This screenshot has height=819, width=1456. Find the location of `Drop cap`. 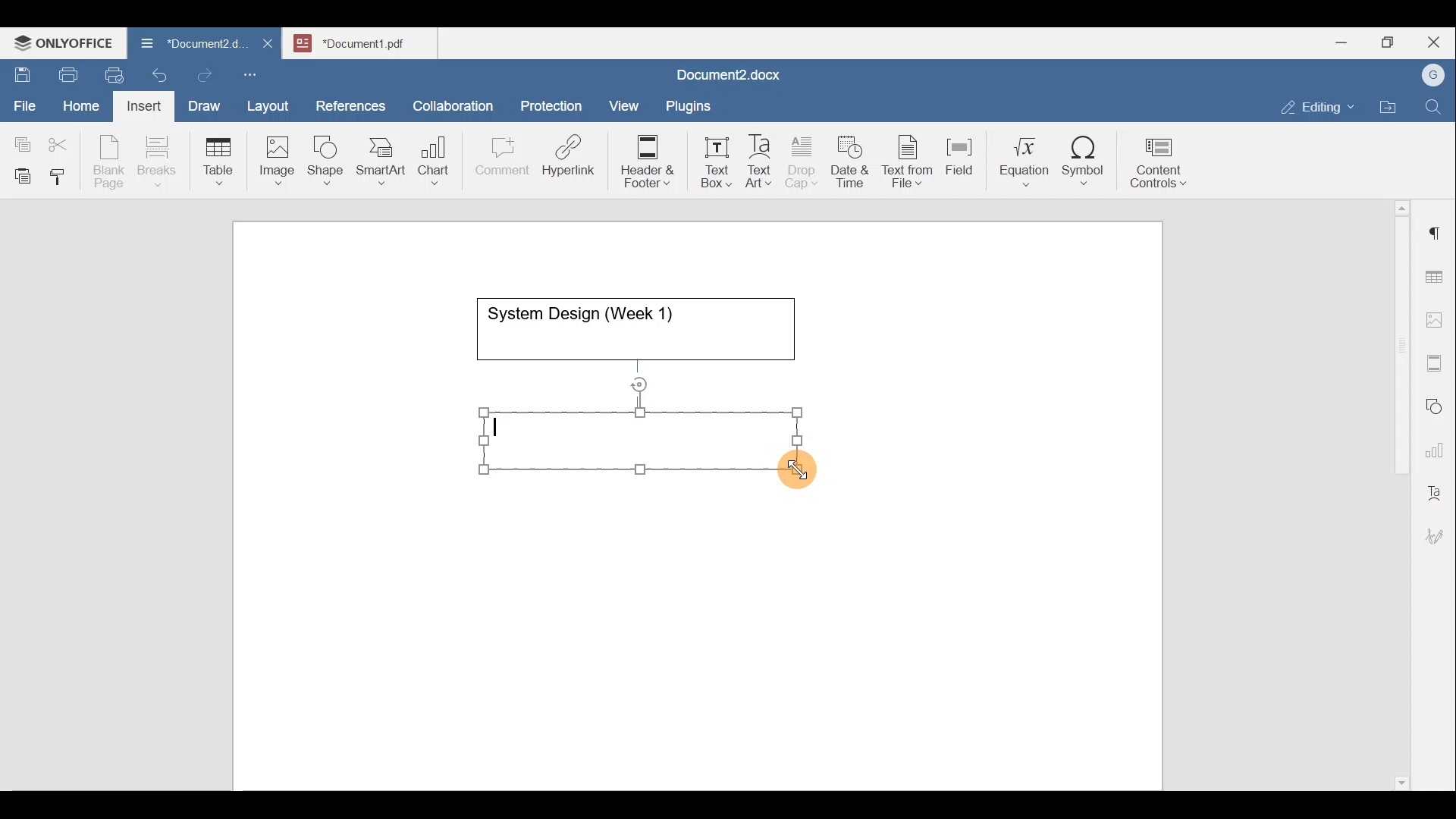

Drop cap is located at coordinates (805, 160).